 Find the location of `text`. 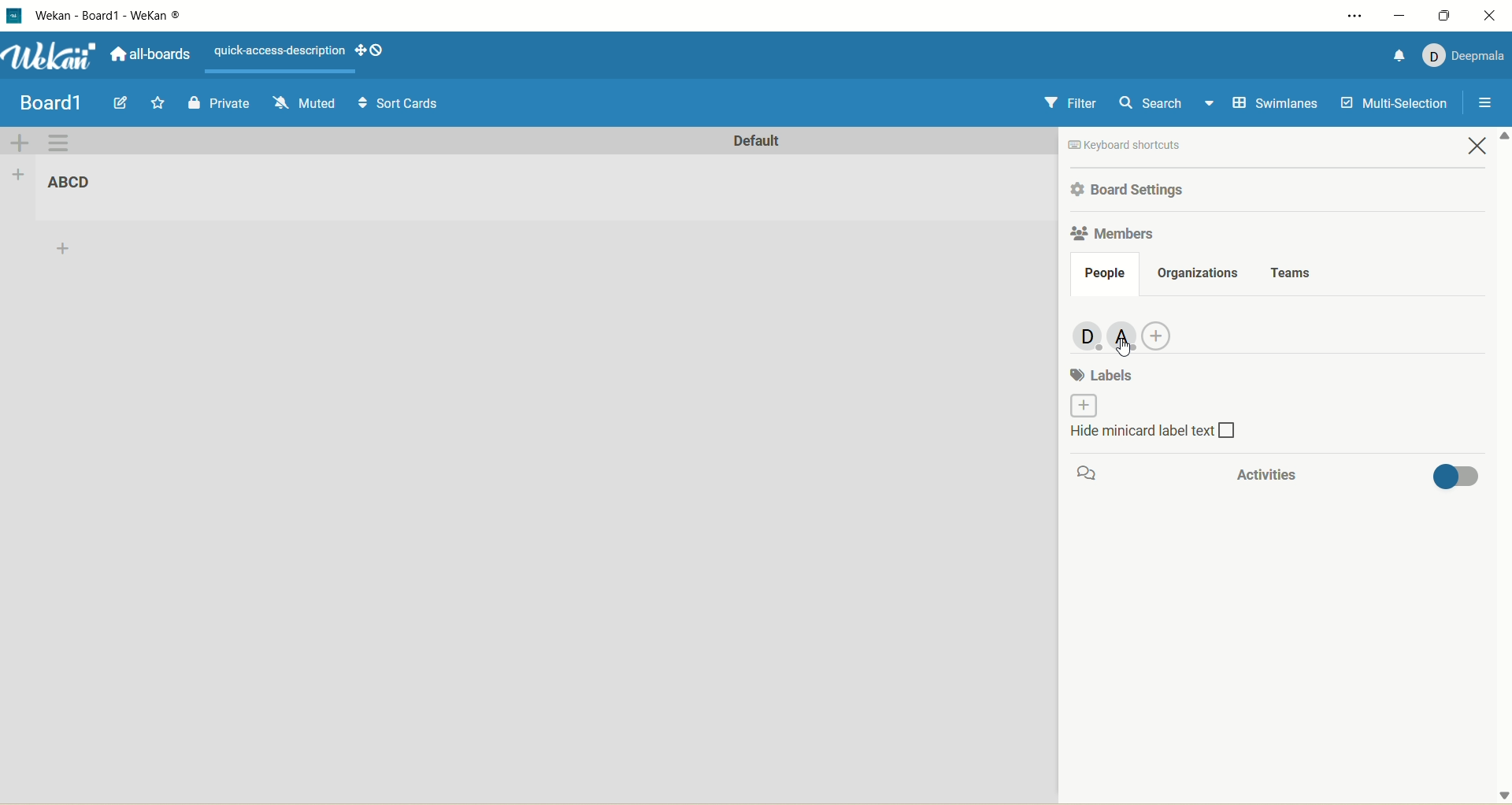

text is located at coordinates (1161, 145).